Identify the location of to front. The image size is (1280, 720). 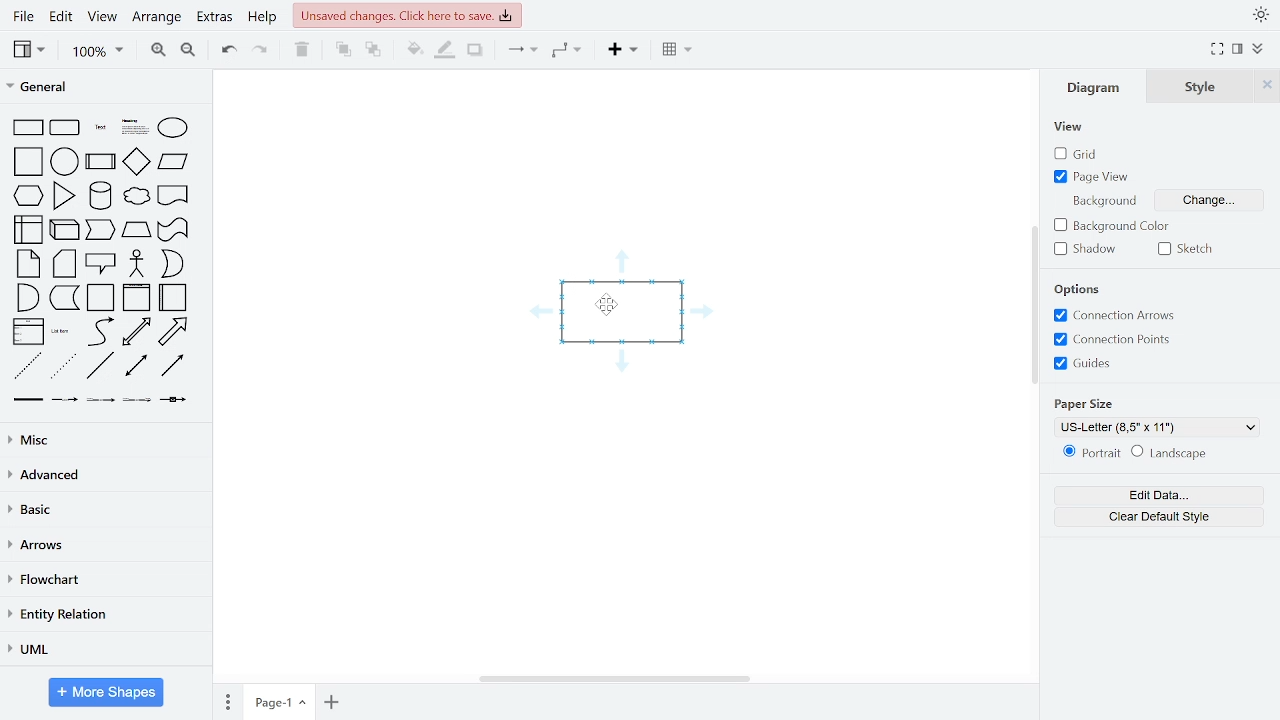
(342, 49).